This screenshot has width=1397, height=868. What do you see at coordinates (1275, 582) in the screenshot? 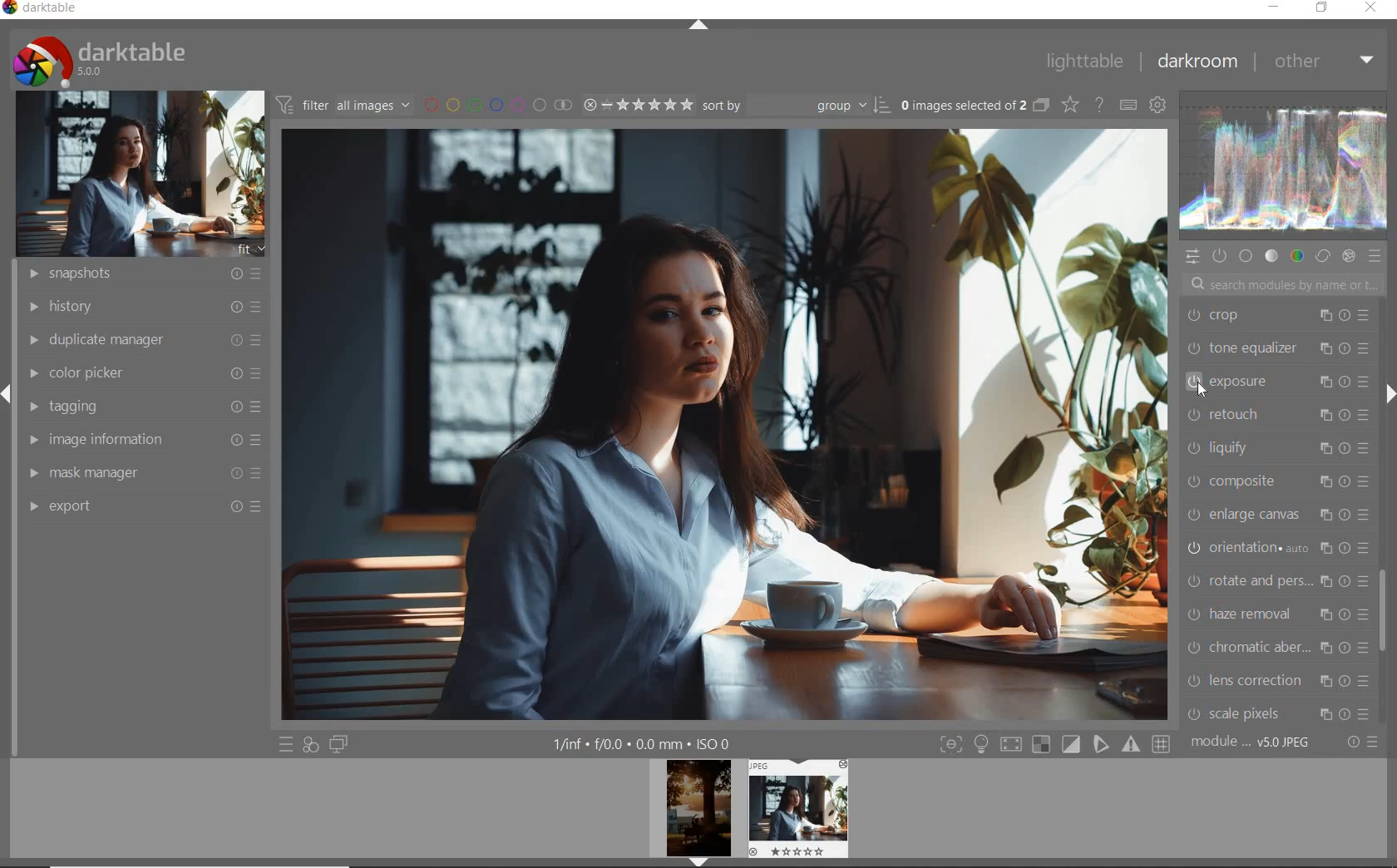
I see `ROTATE AND` at bounding box center [1275, 582].